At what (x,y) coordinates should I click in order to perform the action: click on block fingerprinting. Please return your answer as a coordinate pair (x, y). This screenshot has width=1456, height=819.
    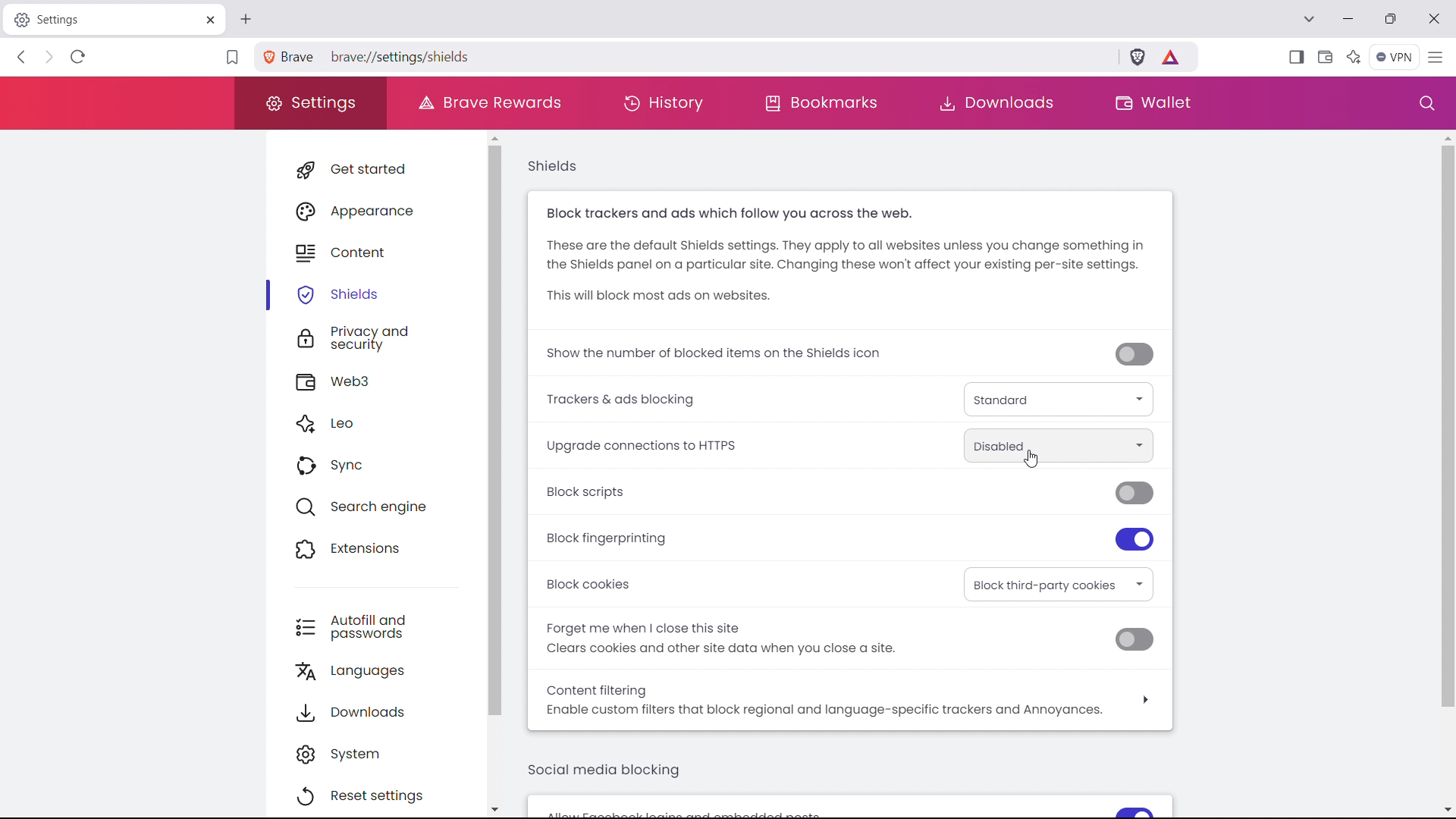
    Looking at the image, I should click on (616, 538).